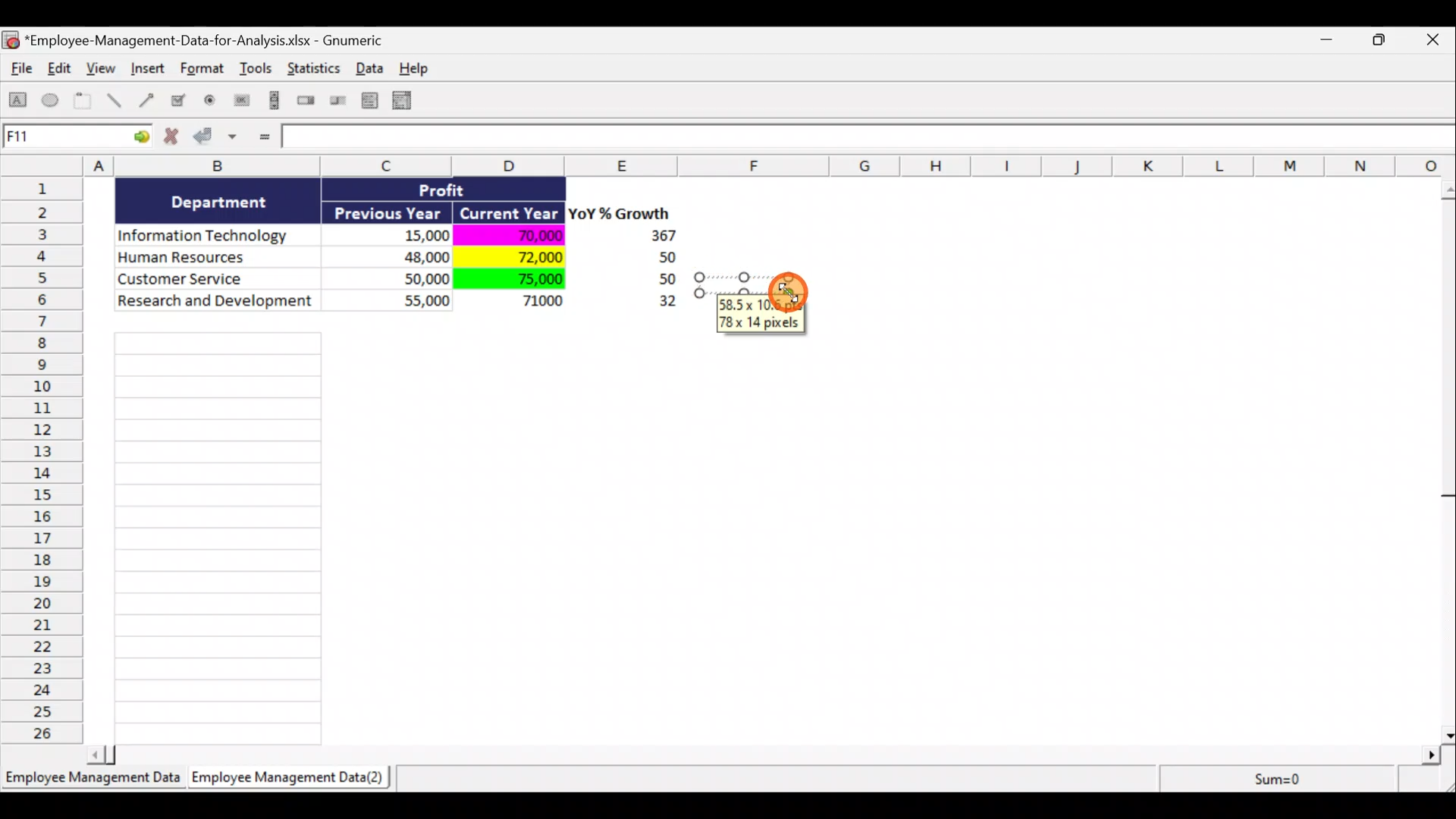 This screenshot has width=1456, height=819. What do you see at coordinates (1275, 779) in the screenshot?
I see `Sum=0` at bounding box center [1275, 779].